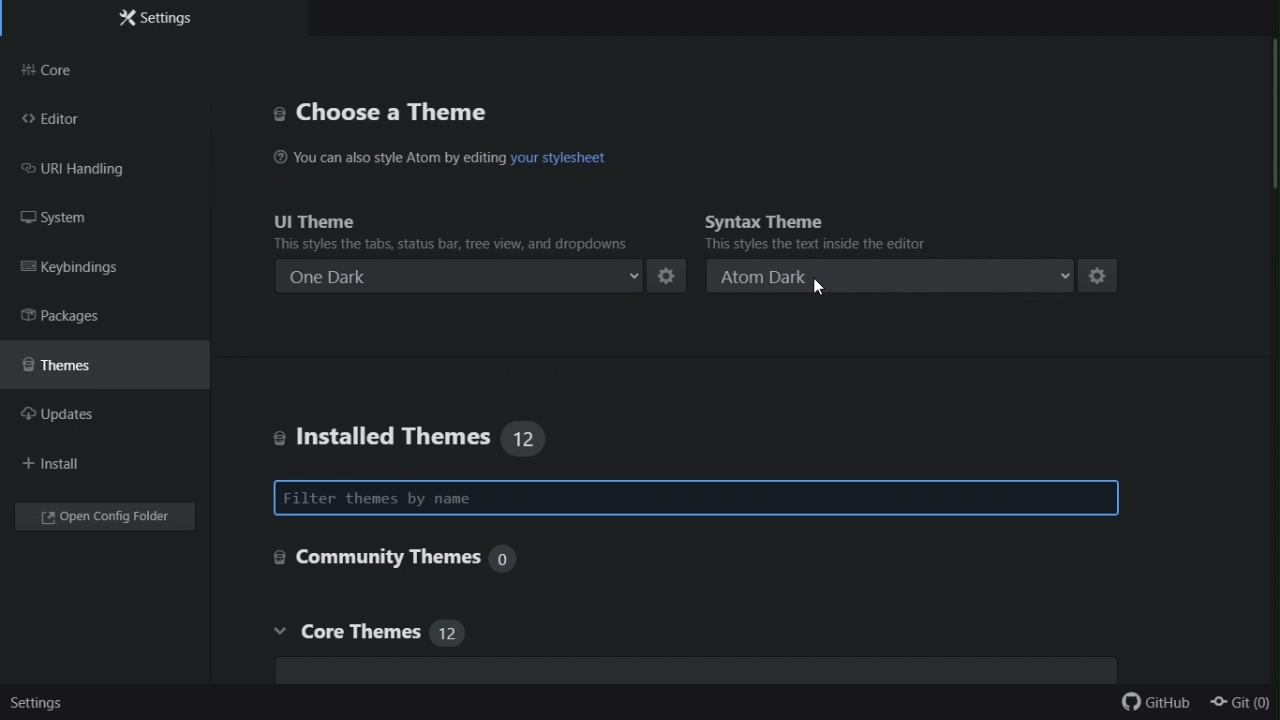  What do you see at coordinates (81, 419) in the screenshot?
I see `updates` at bounding box center [81, 419].